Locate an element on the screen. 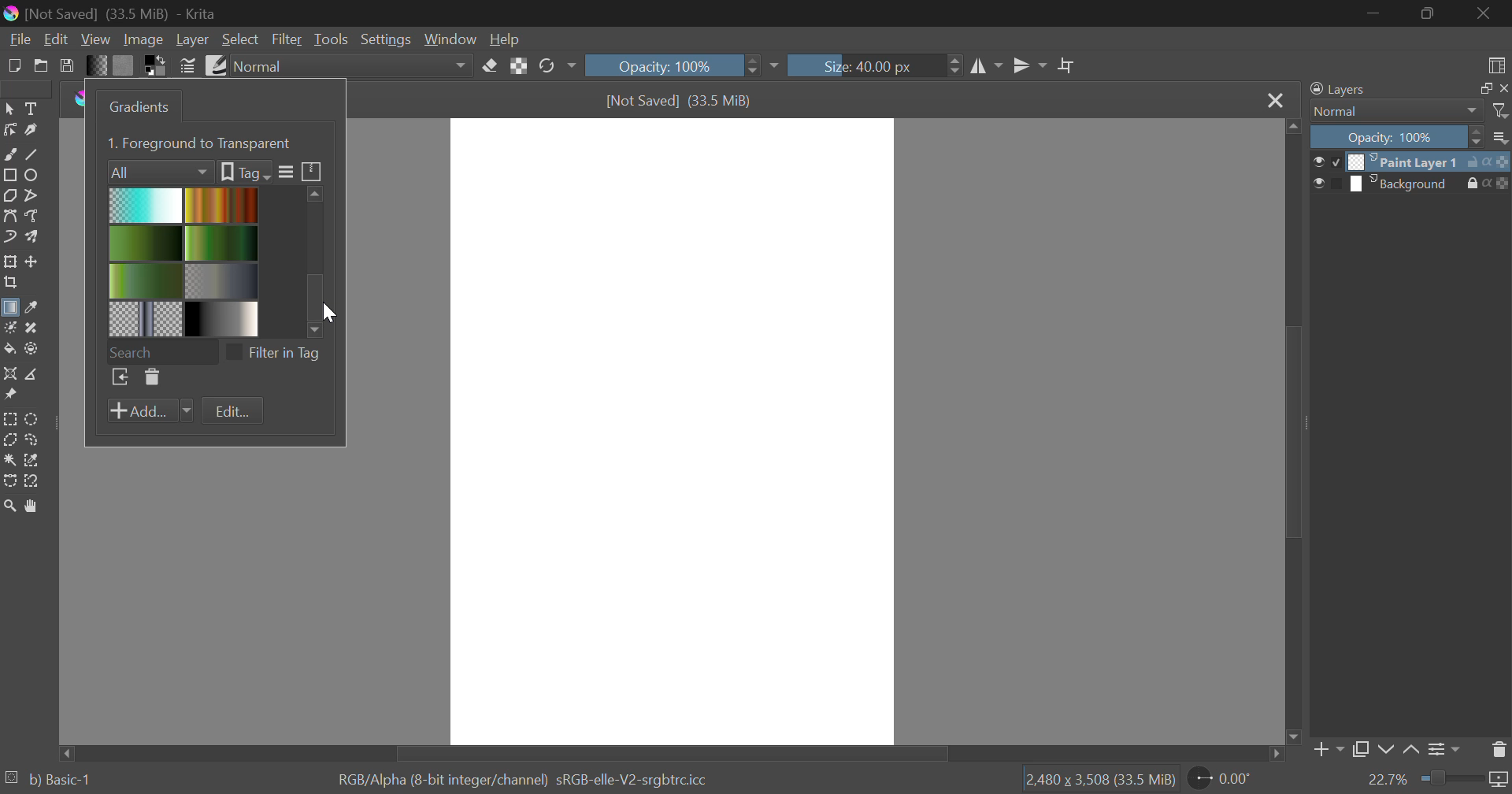 This screenshot has width=1512, height=794. Delete Layer is located at coordinates (1499, 748).